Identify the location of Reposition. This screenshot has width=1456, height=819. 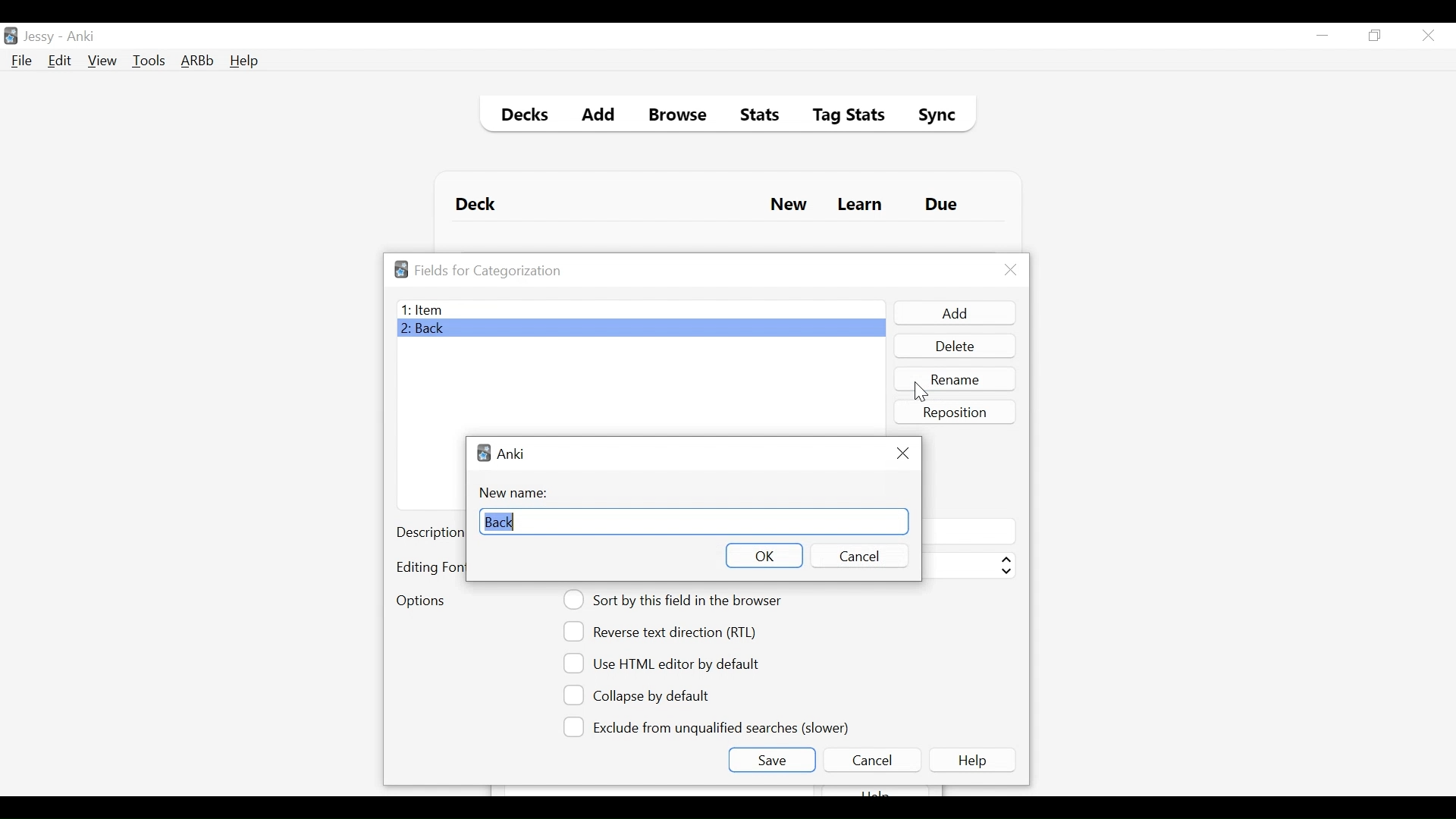
(956, 412).